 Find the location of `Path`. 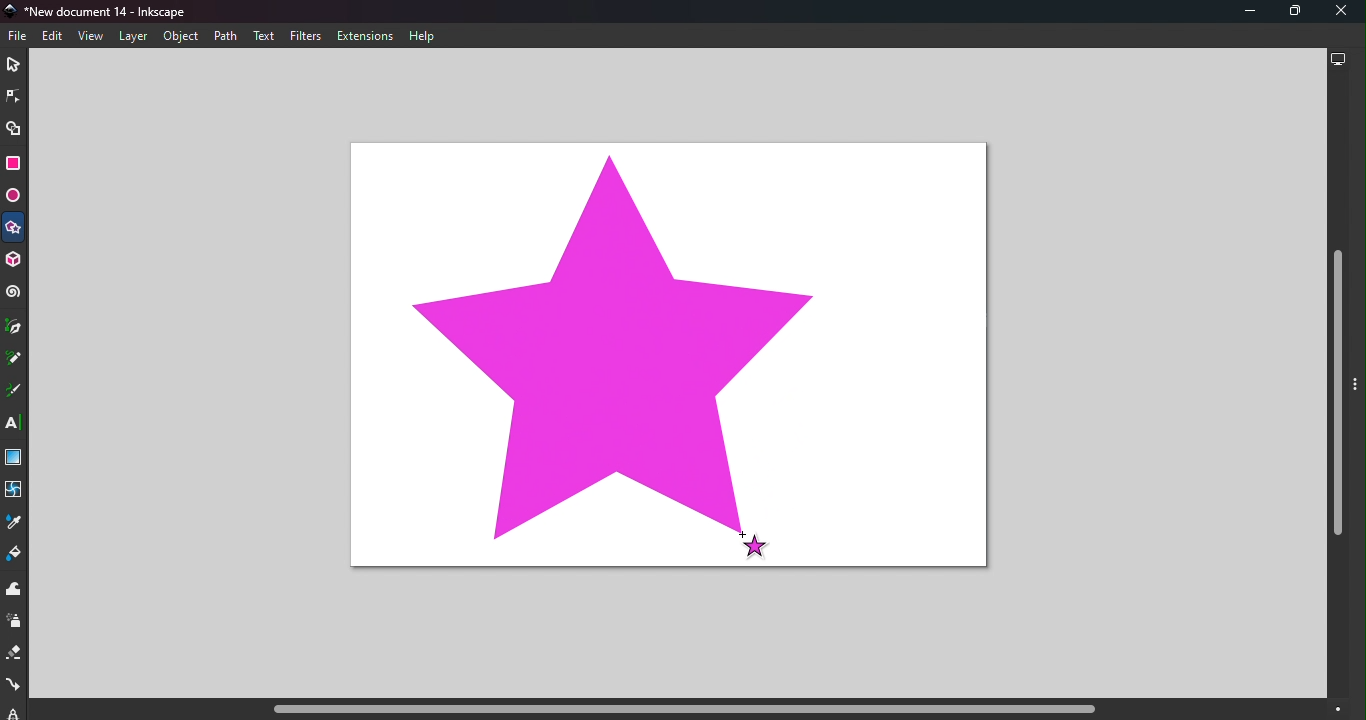

Path is located at coordinates (223, 35).